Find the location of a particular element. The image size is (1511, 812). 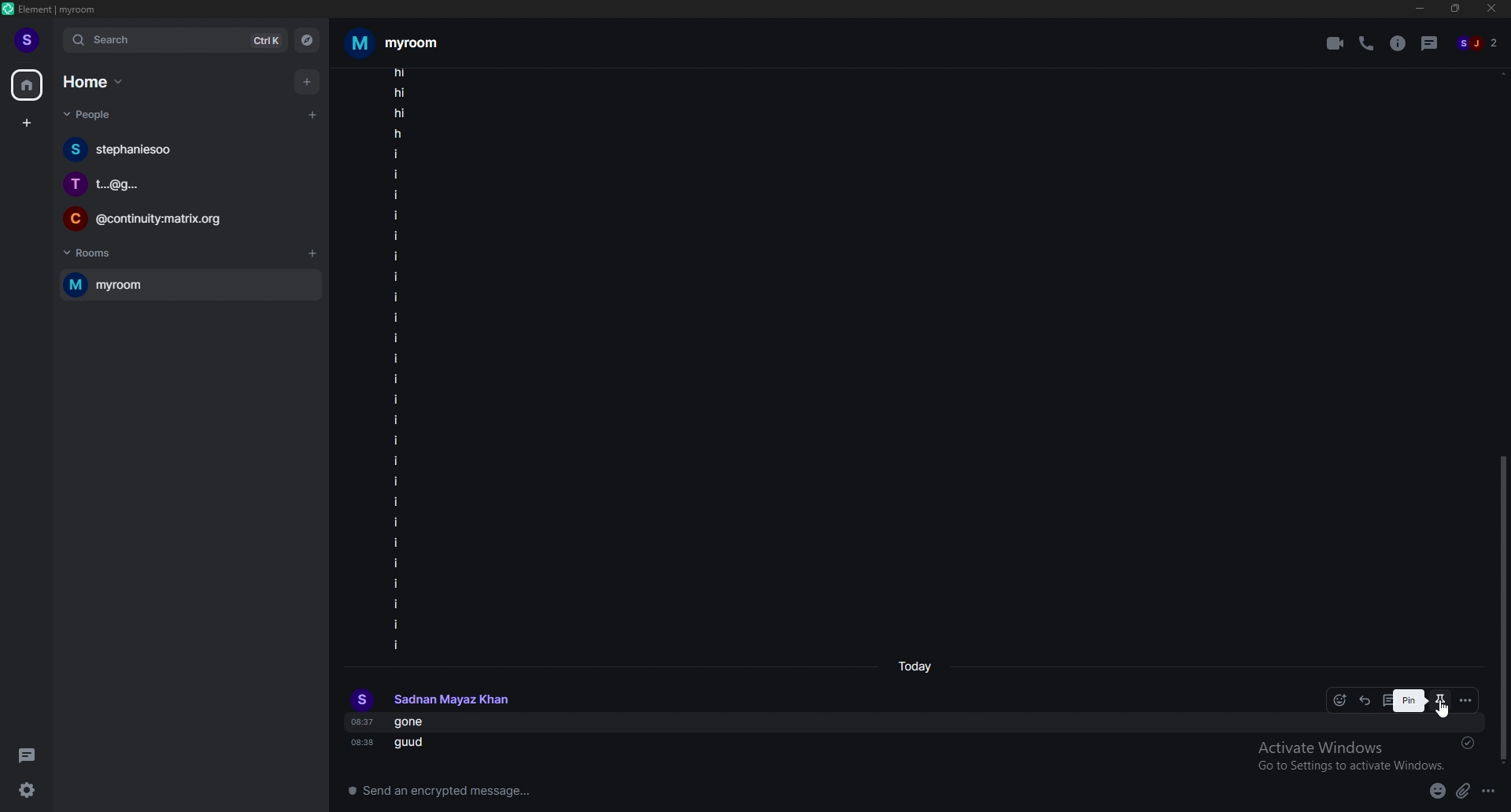

room is located at coordinates (190, 283).